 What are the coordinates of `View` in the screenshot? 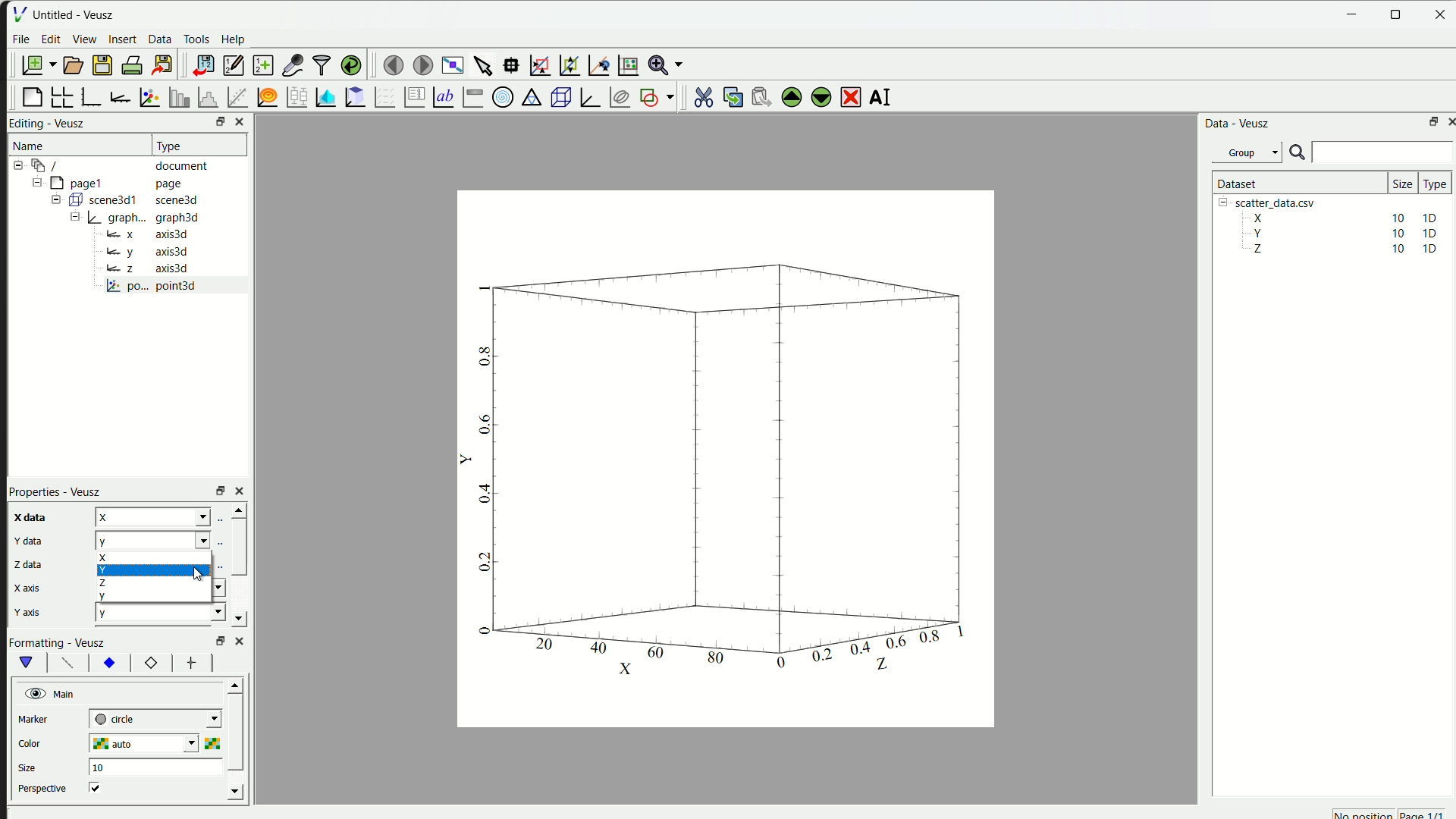 It's located at (83, 38).